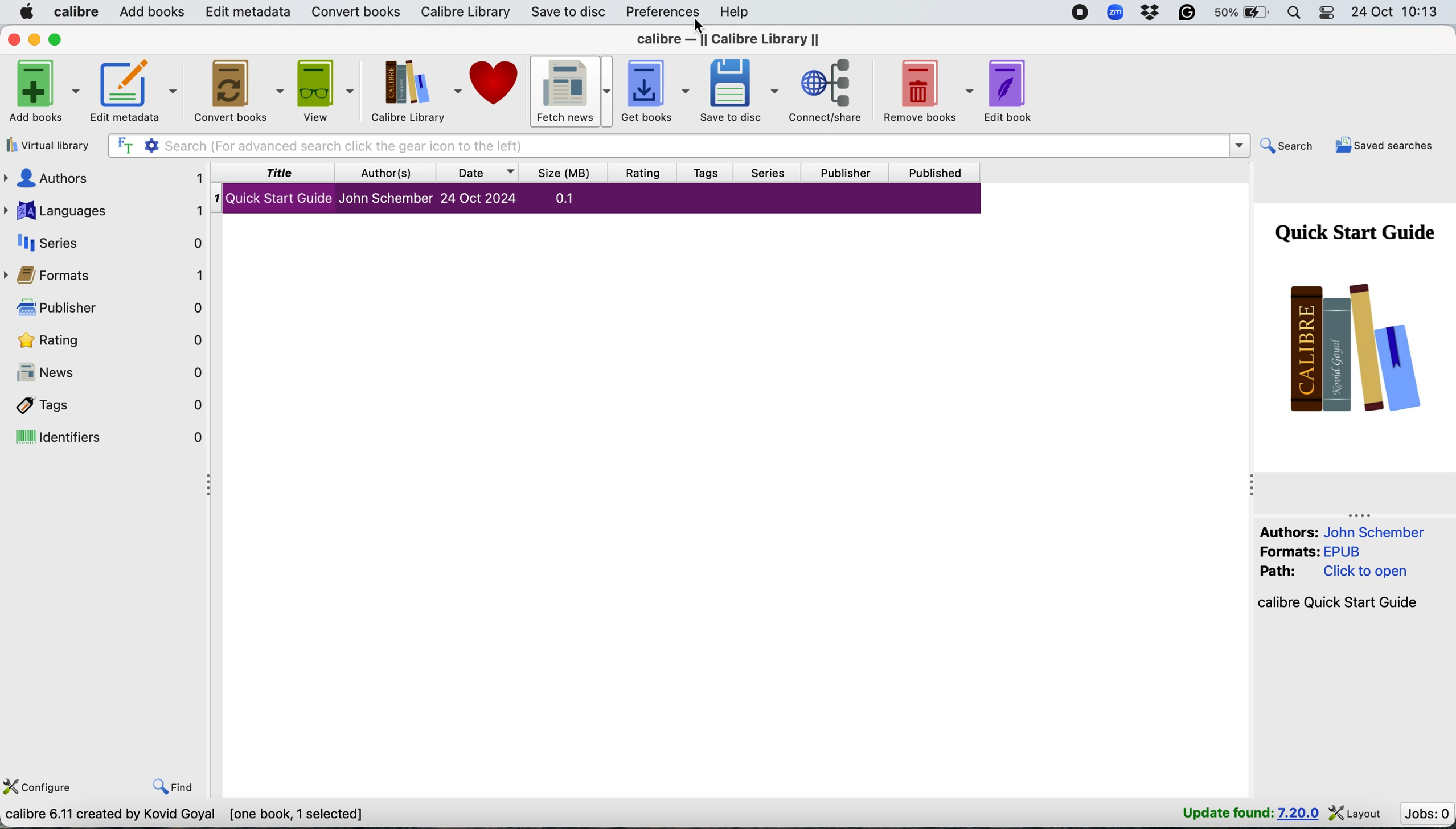  Describe the element at coordinates (110, 372) in the screenshot. I see `news` at that location.